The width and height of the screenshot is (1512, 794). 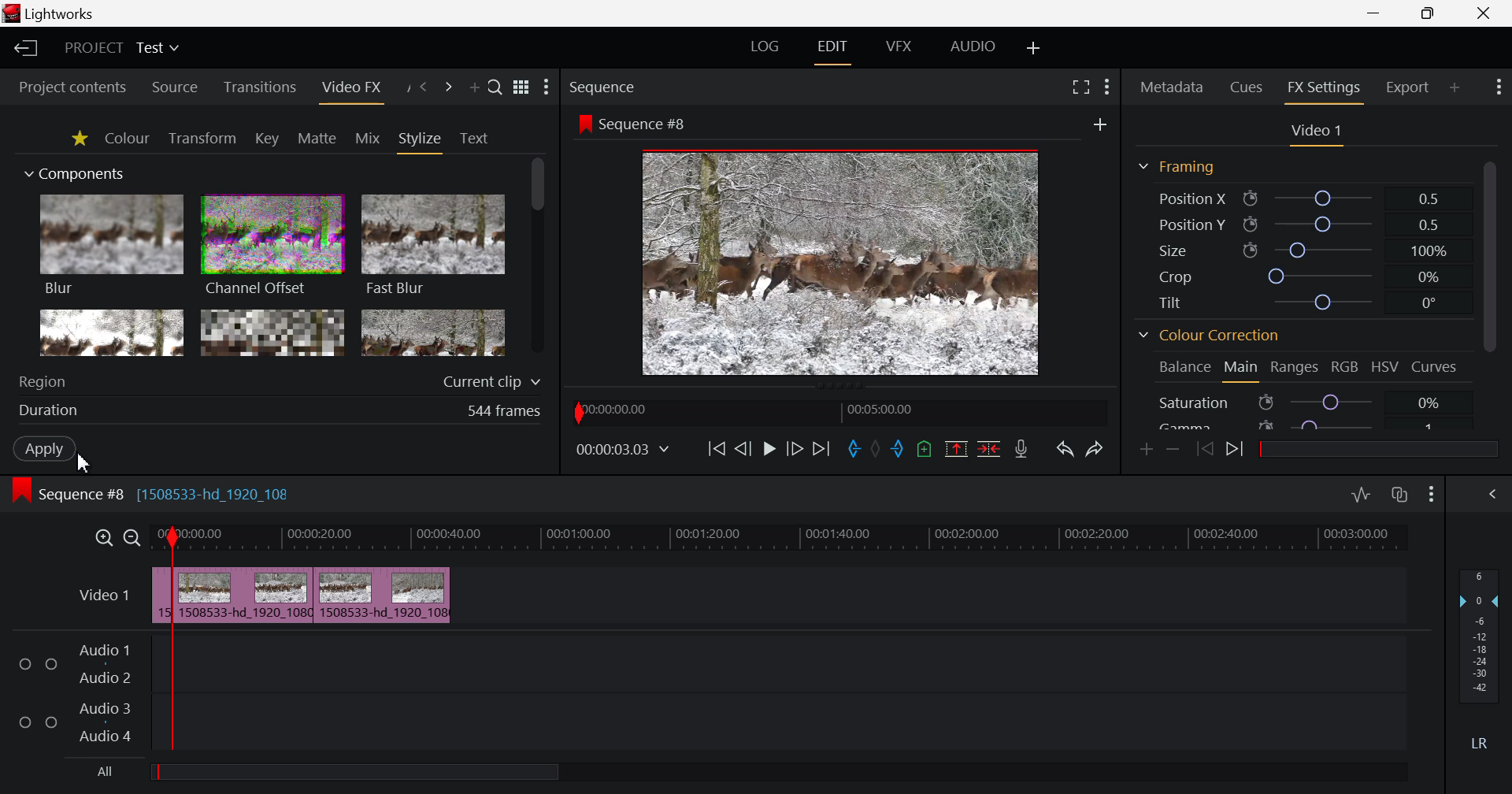 What do you see at coordinates (1299, 224) in the screenshot?
I see `Position Y` at bounding box center [1299, 224].